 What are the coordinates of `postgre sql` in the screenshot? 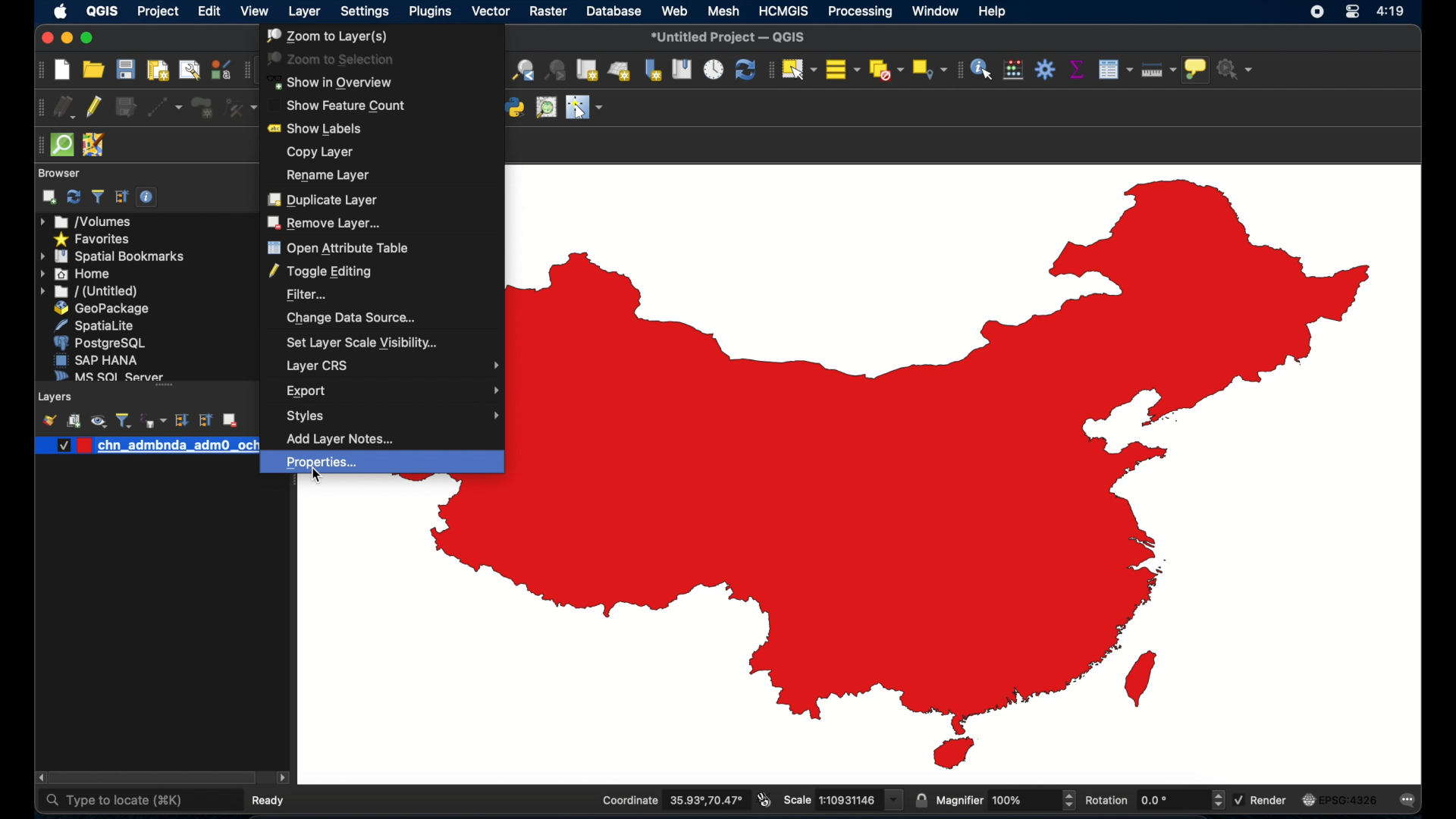 It's located at (99, 343).